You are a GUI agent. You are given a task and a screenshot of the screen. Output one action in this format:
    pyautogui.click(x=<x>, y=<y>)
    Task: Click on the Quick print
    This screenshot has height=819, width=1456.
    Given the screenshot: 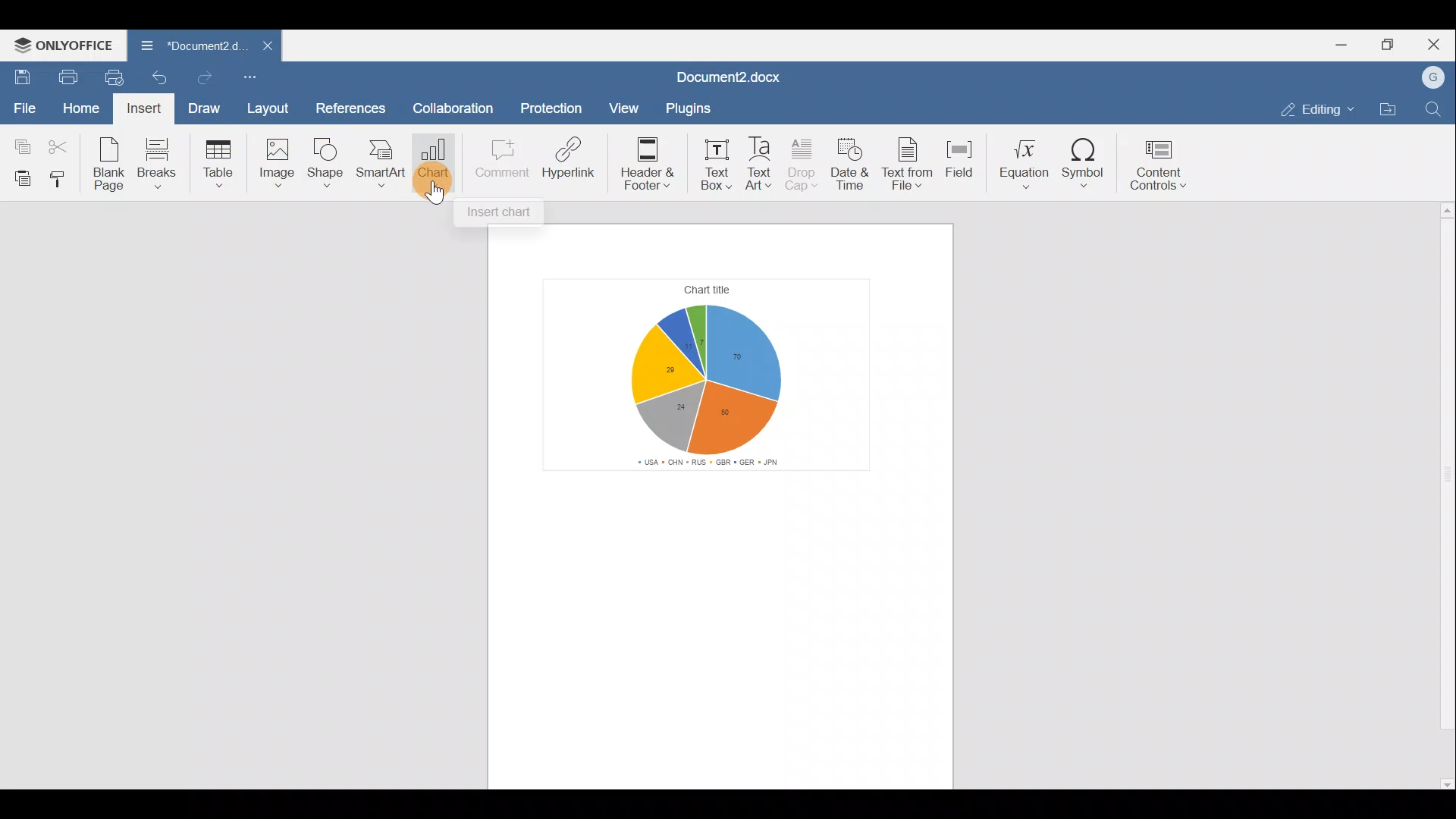 What is the action you would take?
    pyautogui.click(x=115, y=77)
    